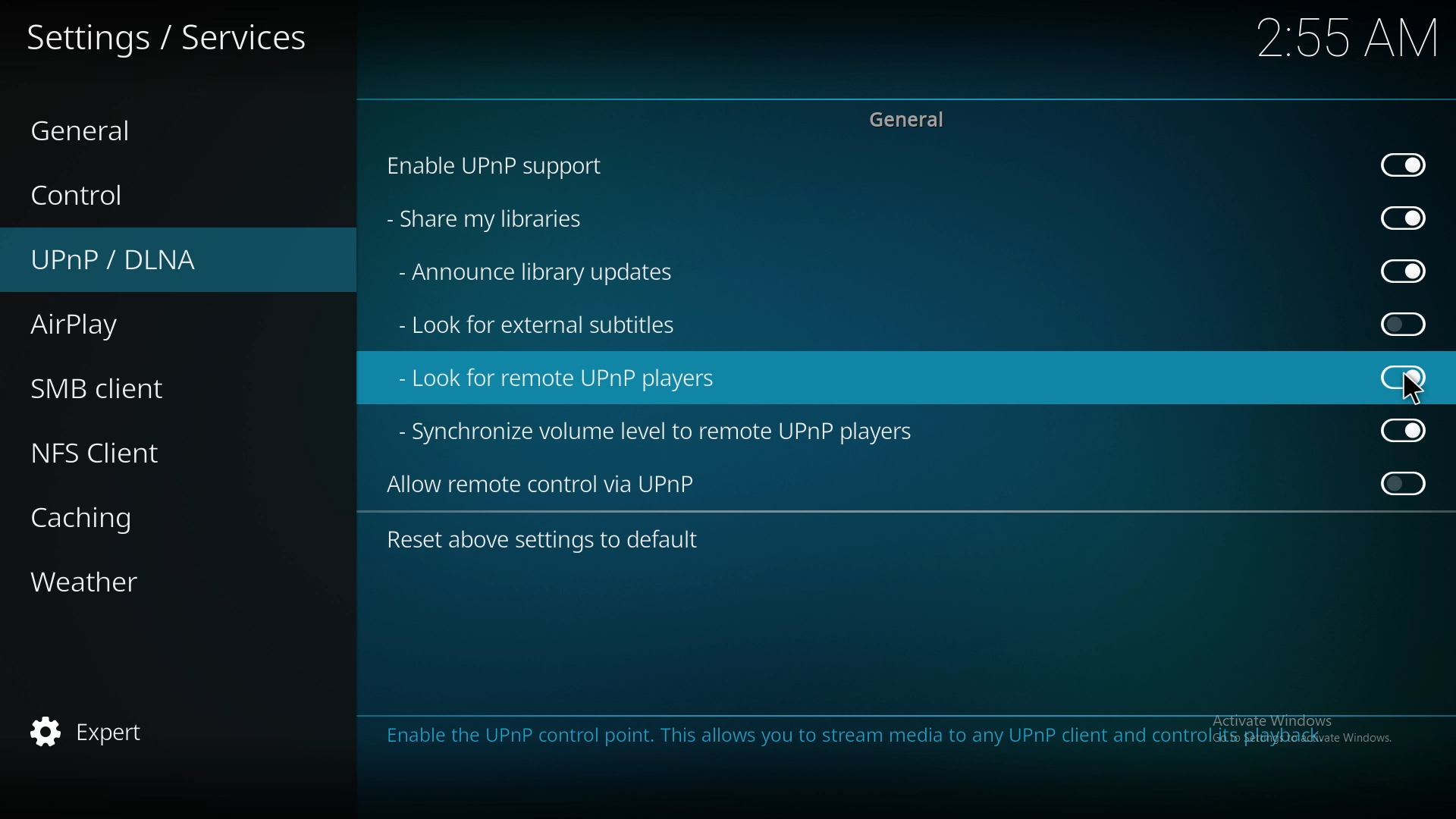 This screenshot has width=1456, height=819. What do you see at coordinates (1409, 271) in the screenshot?
I see `on (Greyed out)` at bounding box center [1409, 271].